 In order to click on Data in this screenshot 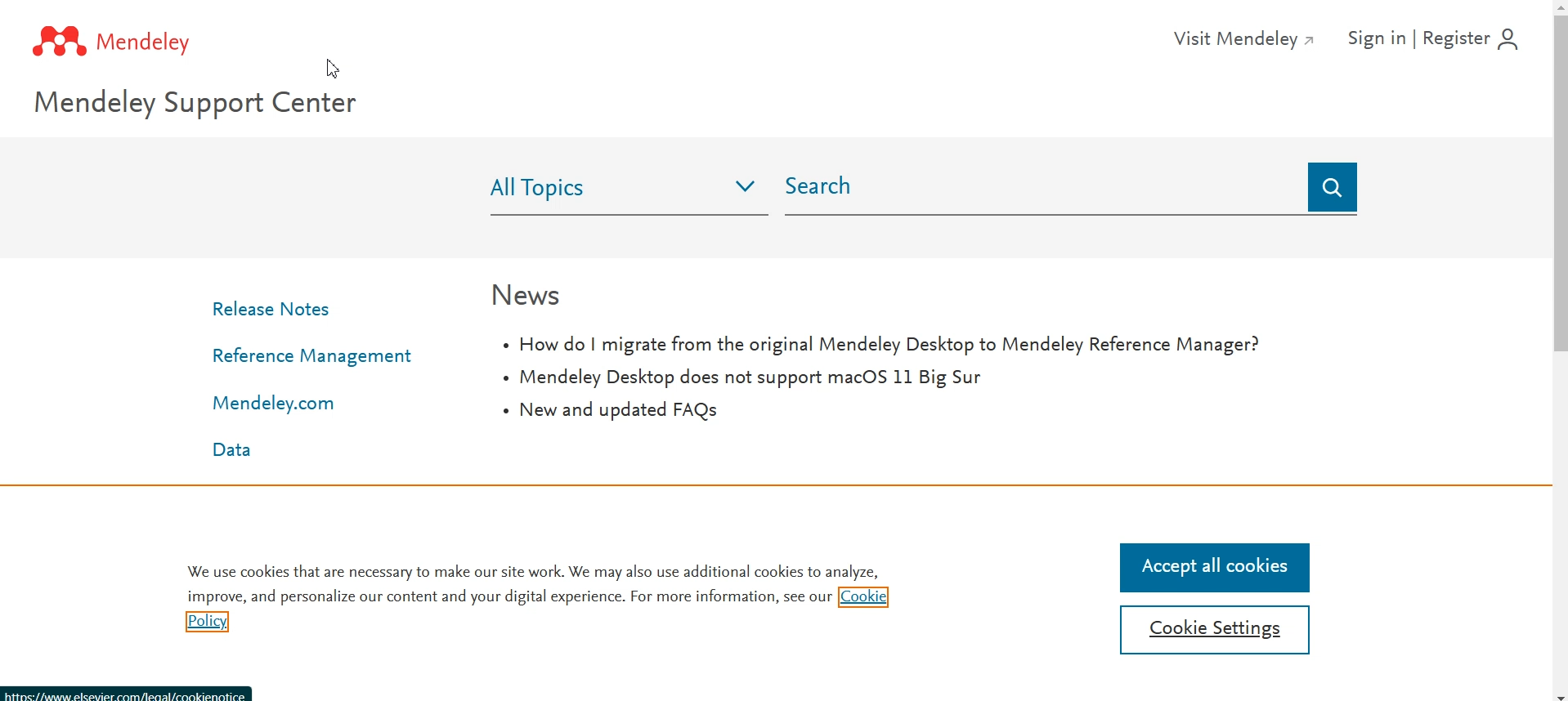, I will do `click(234, 449)`.